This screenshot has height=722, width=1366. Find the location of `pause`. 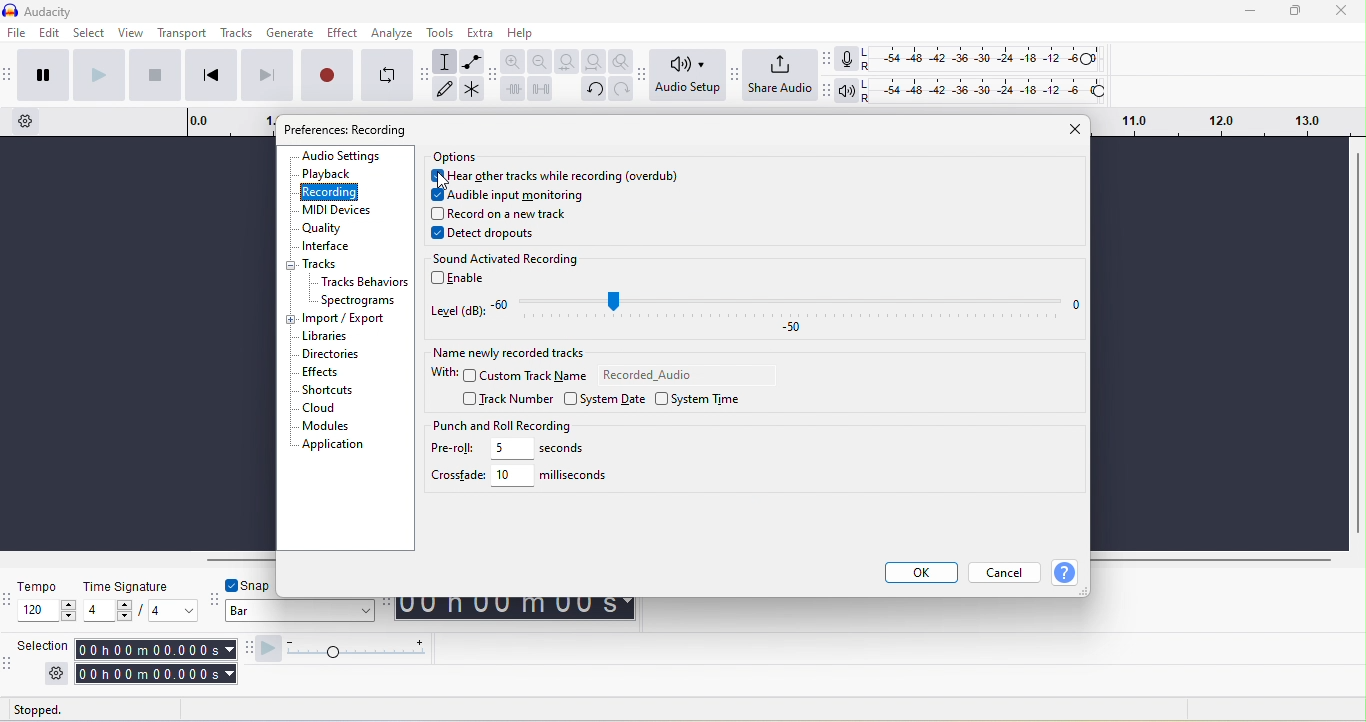

pause is located at coordinates (45, 75).